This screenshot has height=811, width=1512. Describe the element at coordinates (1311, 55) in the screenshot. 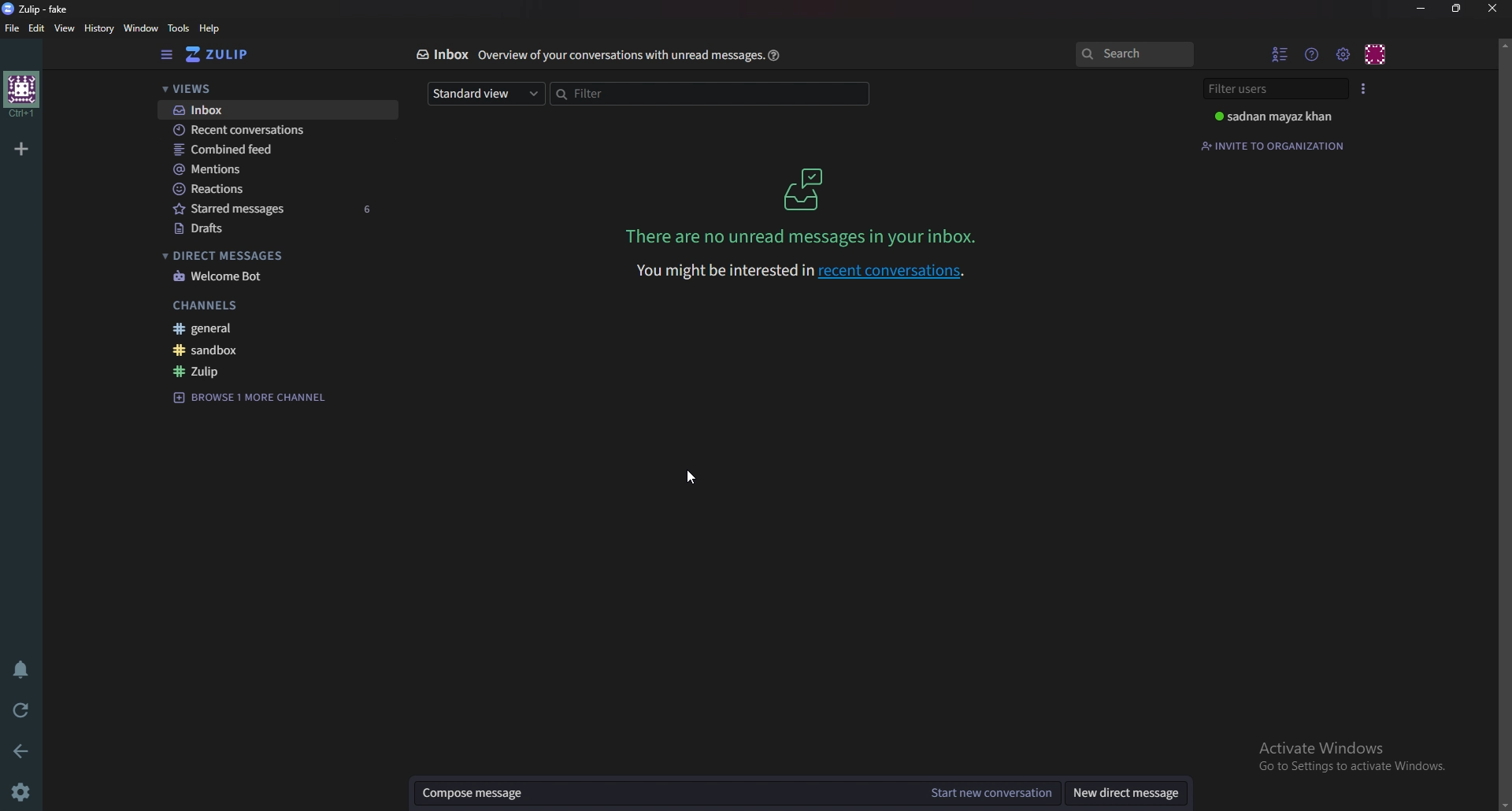

I see `Help menu` at that location.